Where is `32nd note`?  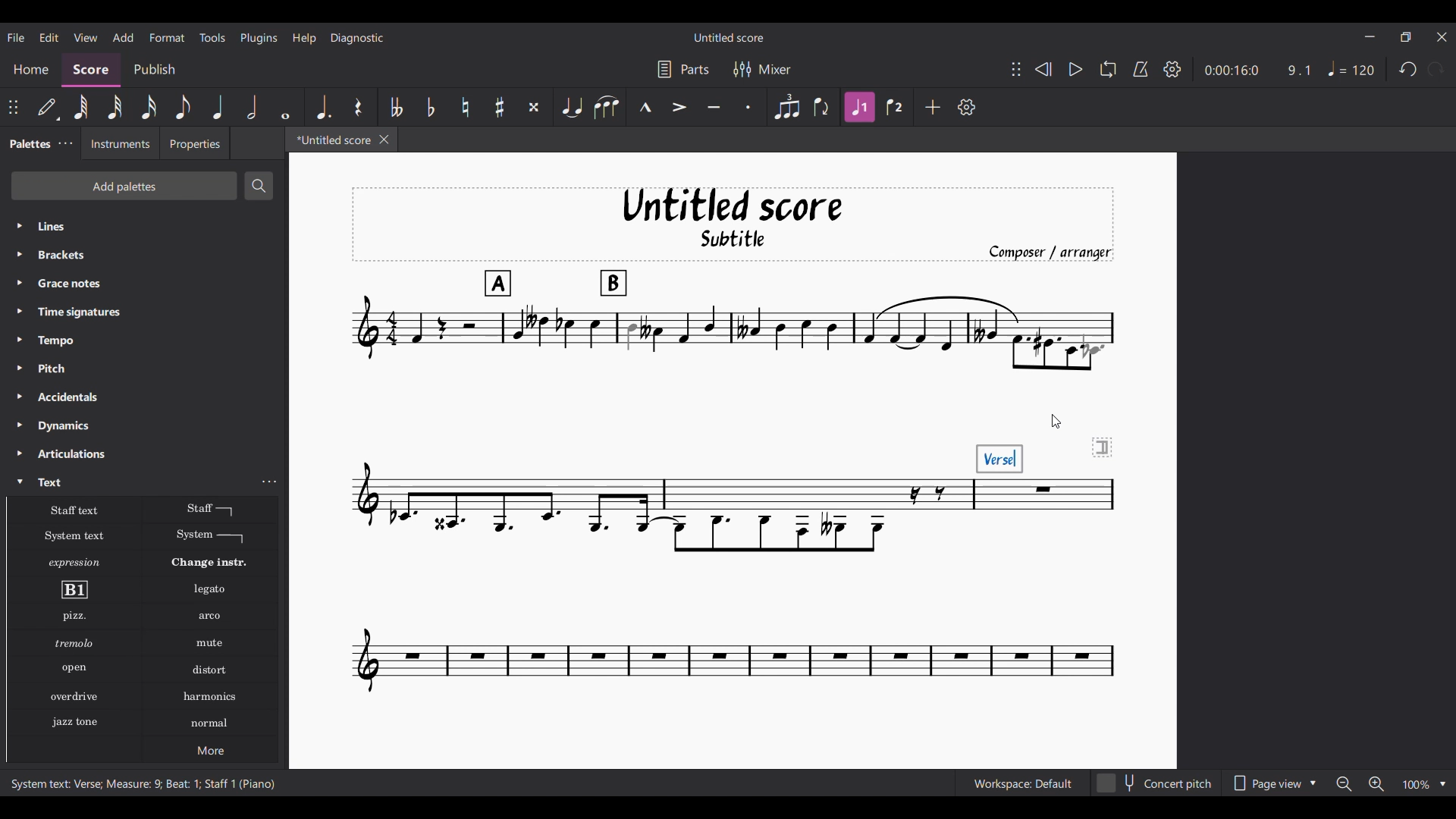 32nd note is located at coordinates (115, 107).